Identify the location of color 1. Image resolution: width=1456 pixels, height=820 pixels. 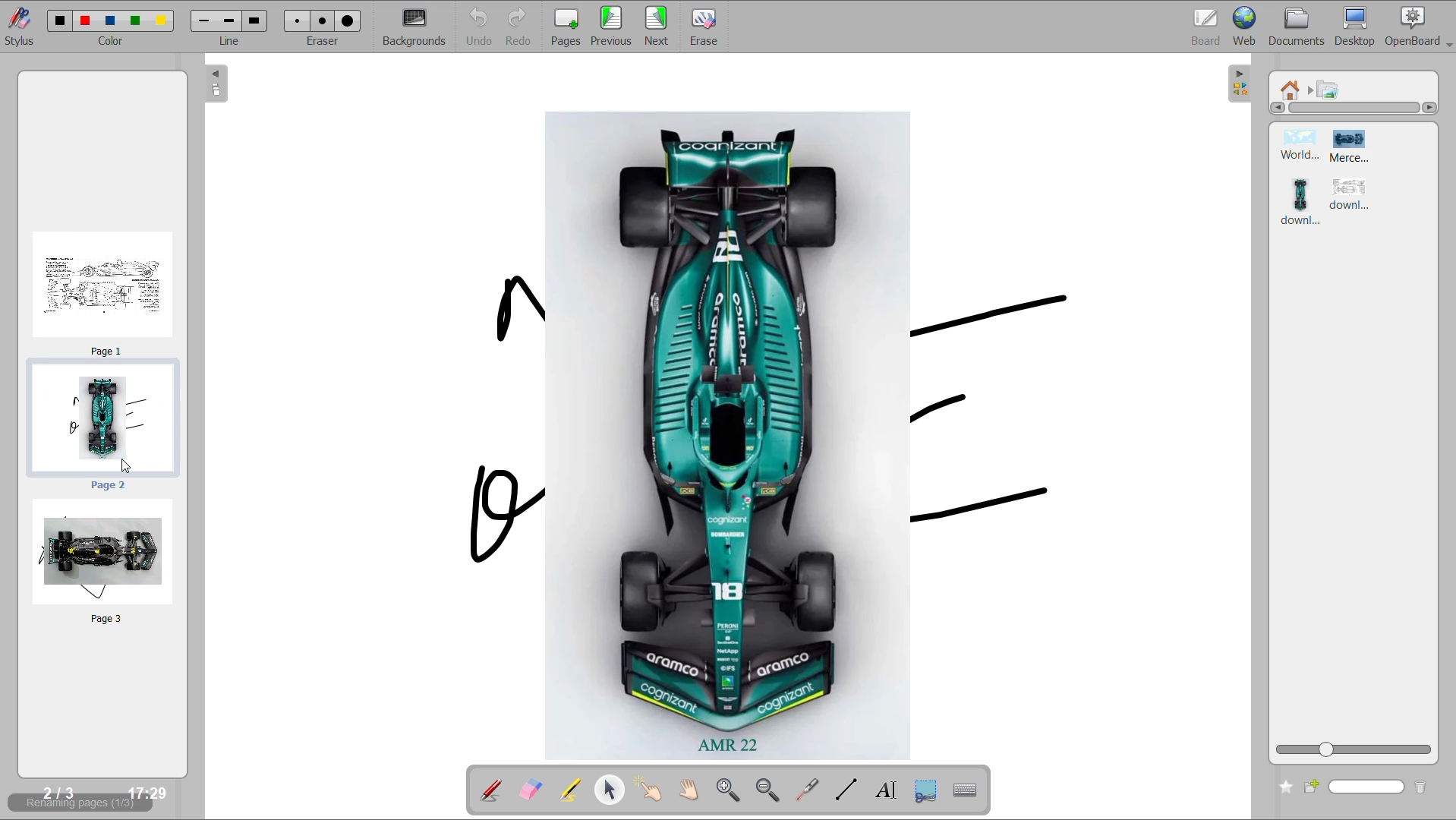
(56, 19).